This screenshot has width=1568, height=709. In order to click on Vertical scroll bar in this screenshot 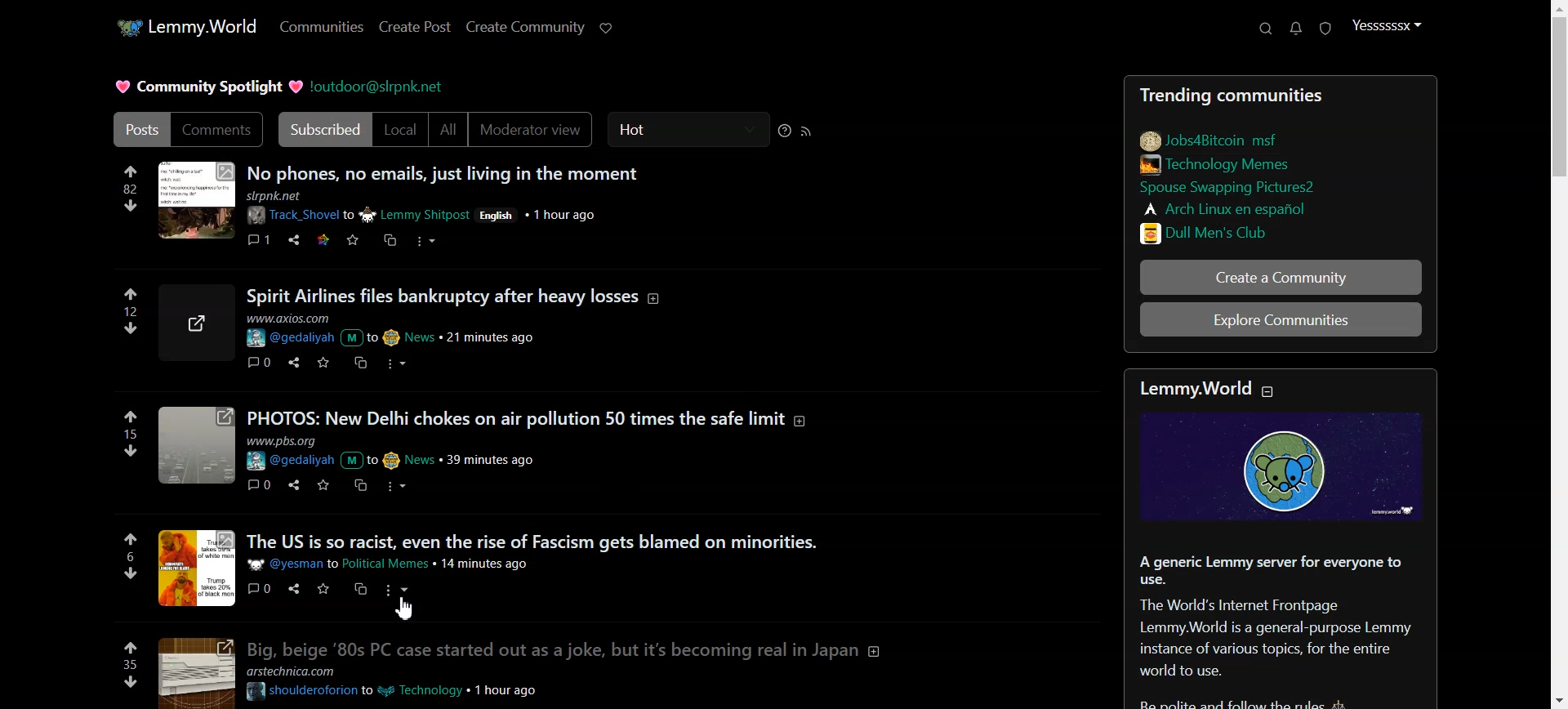, I will do `click(1558, 354)`.